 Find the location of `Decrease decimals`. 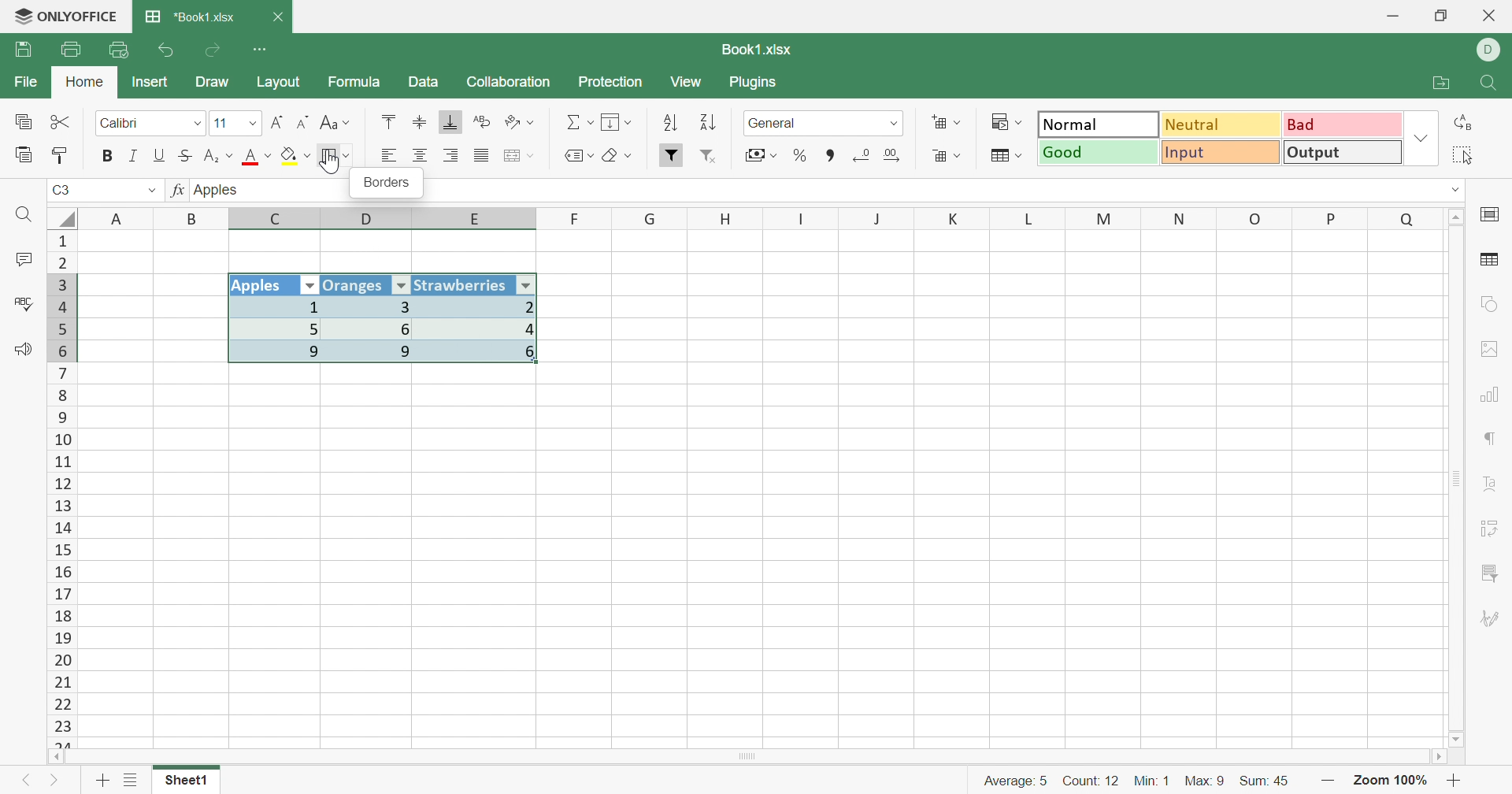

Decrease decimals is located at coordinates (862, 154).